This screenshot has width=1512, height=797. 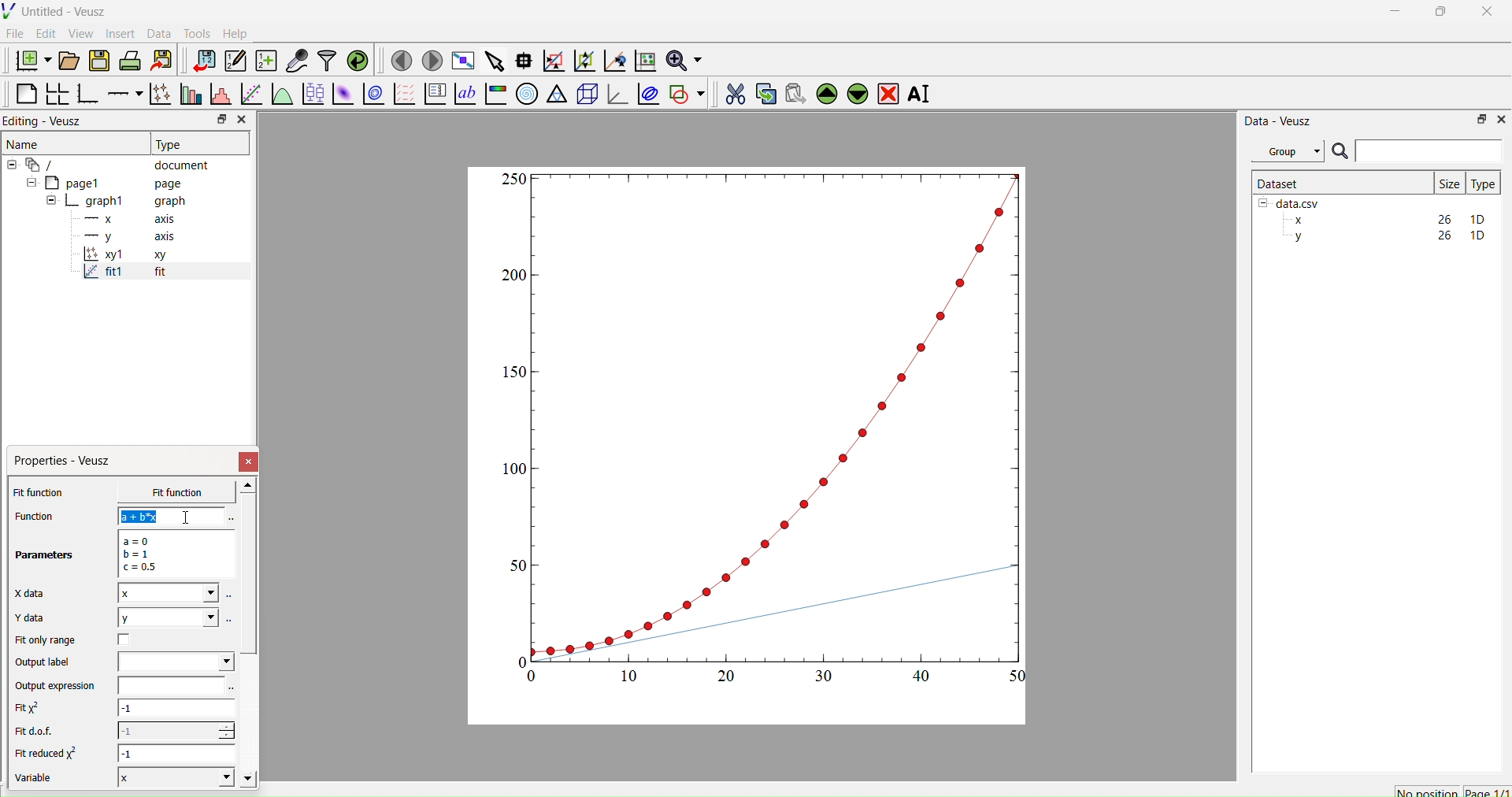 I want to click on a+b*x, so click(x=172, y=516).